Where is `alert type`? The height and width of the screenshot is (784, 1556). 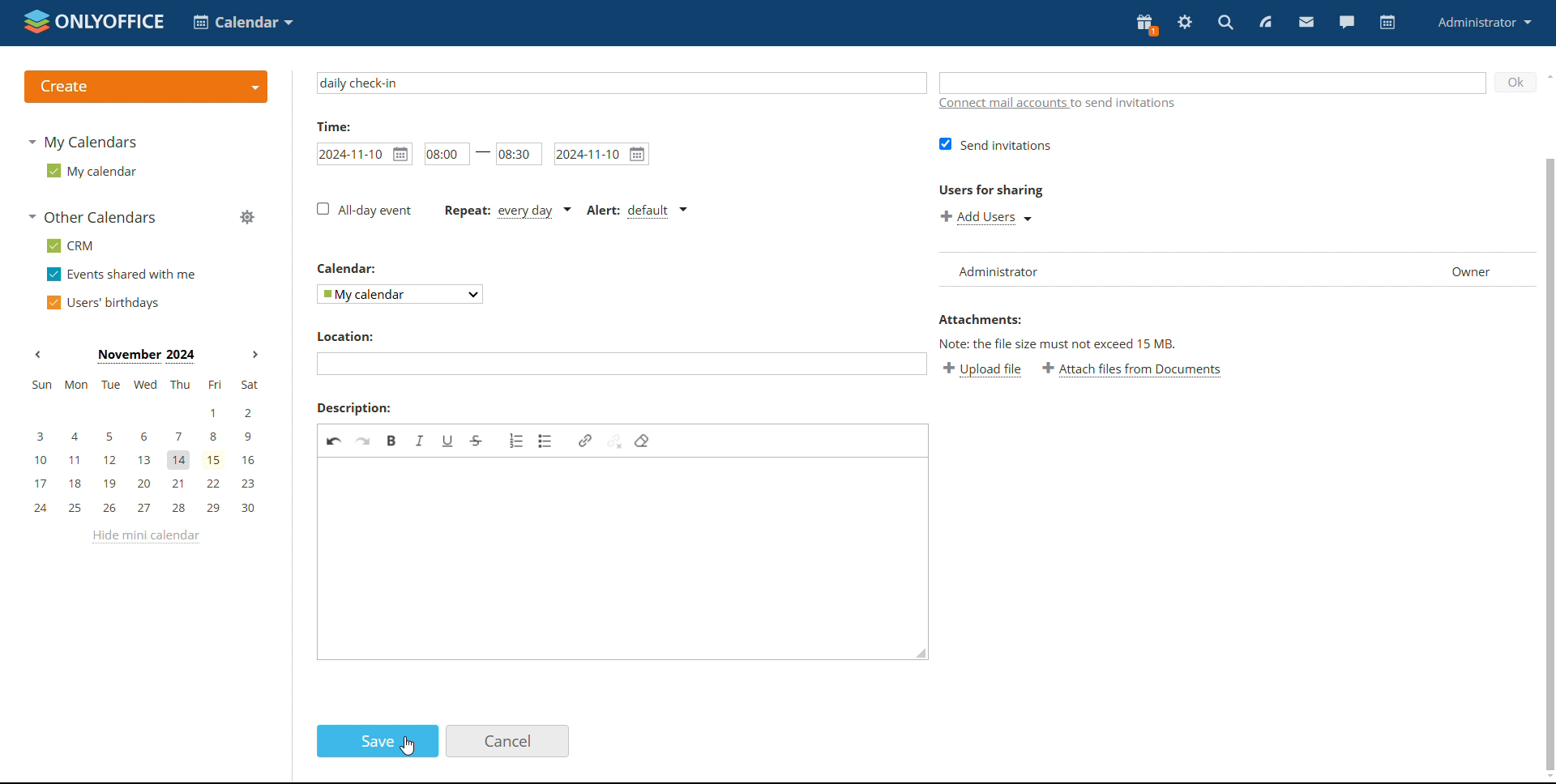 alert type is located at coordinates (634, 211).